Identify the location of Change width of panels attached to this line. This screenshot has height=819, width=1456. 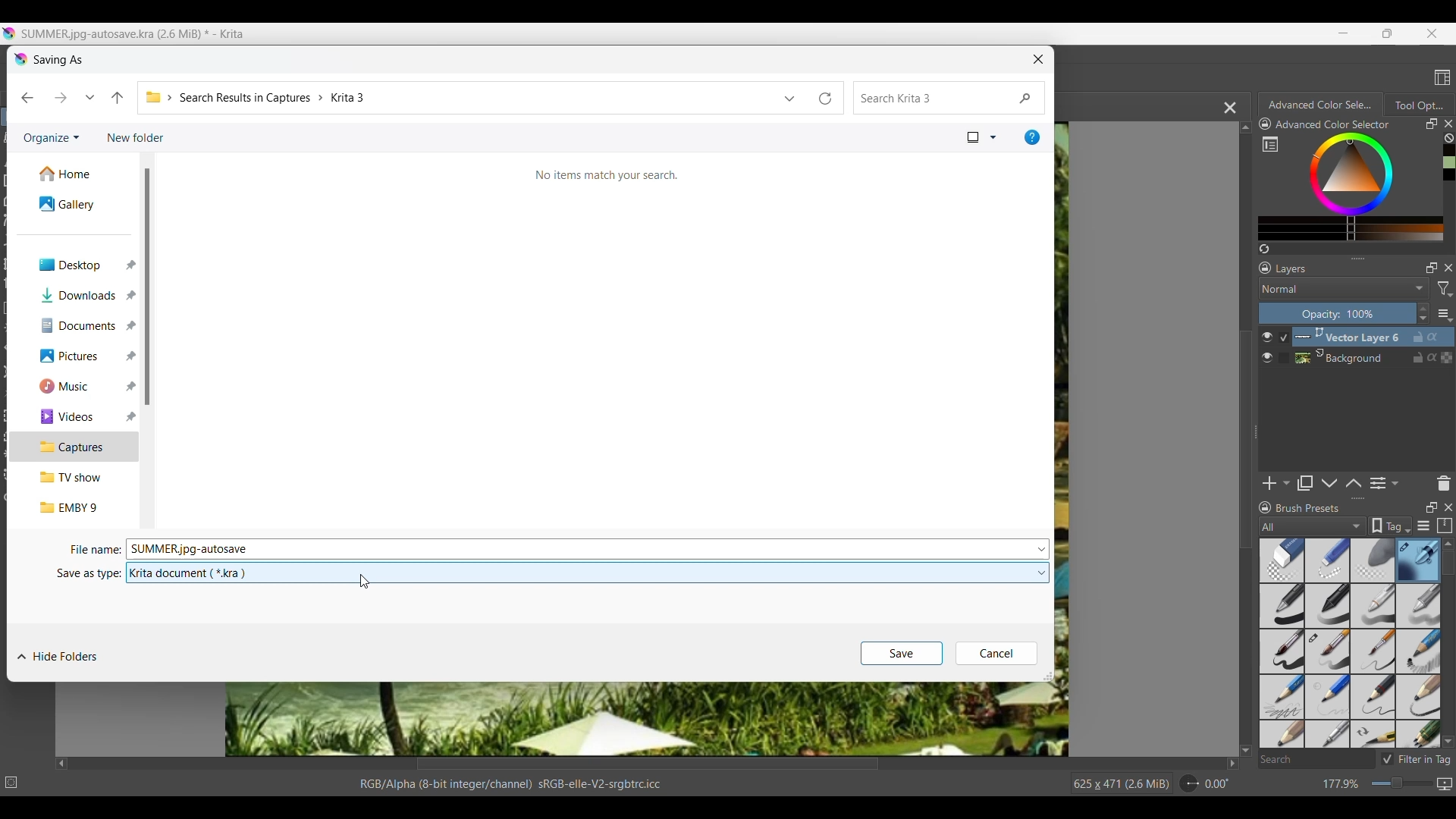
(1254, 453).